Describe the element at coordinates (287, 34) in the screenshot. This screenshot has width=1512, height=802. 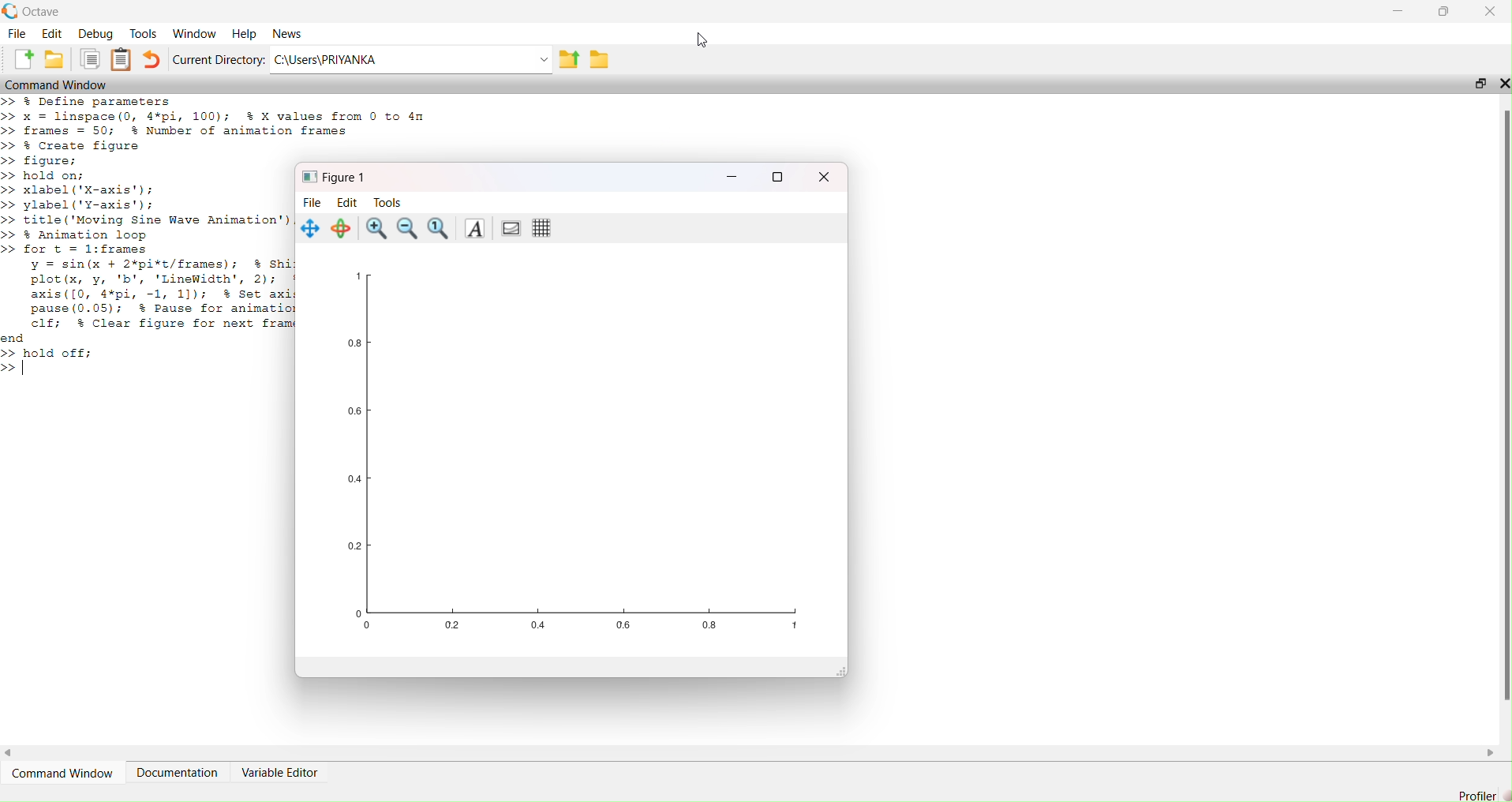
I see `News` at that location.